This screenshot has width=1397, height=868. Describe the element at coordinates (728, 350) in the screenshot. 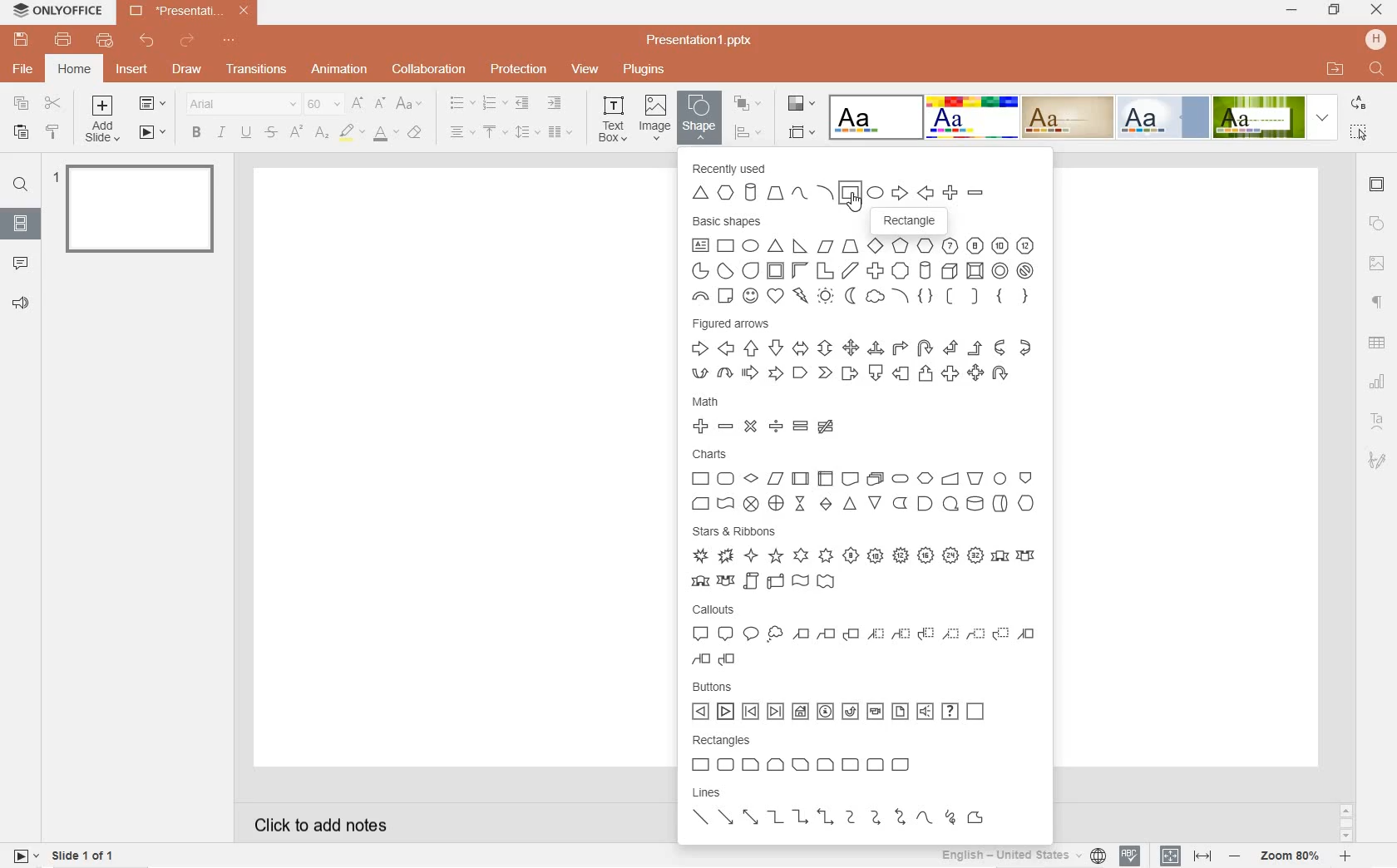

I see `Left Arrow` at that location.